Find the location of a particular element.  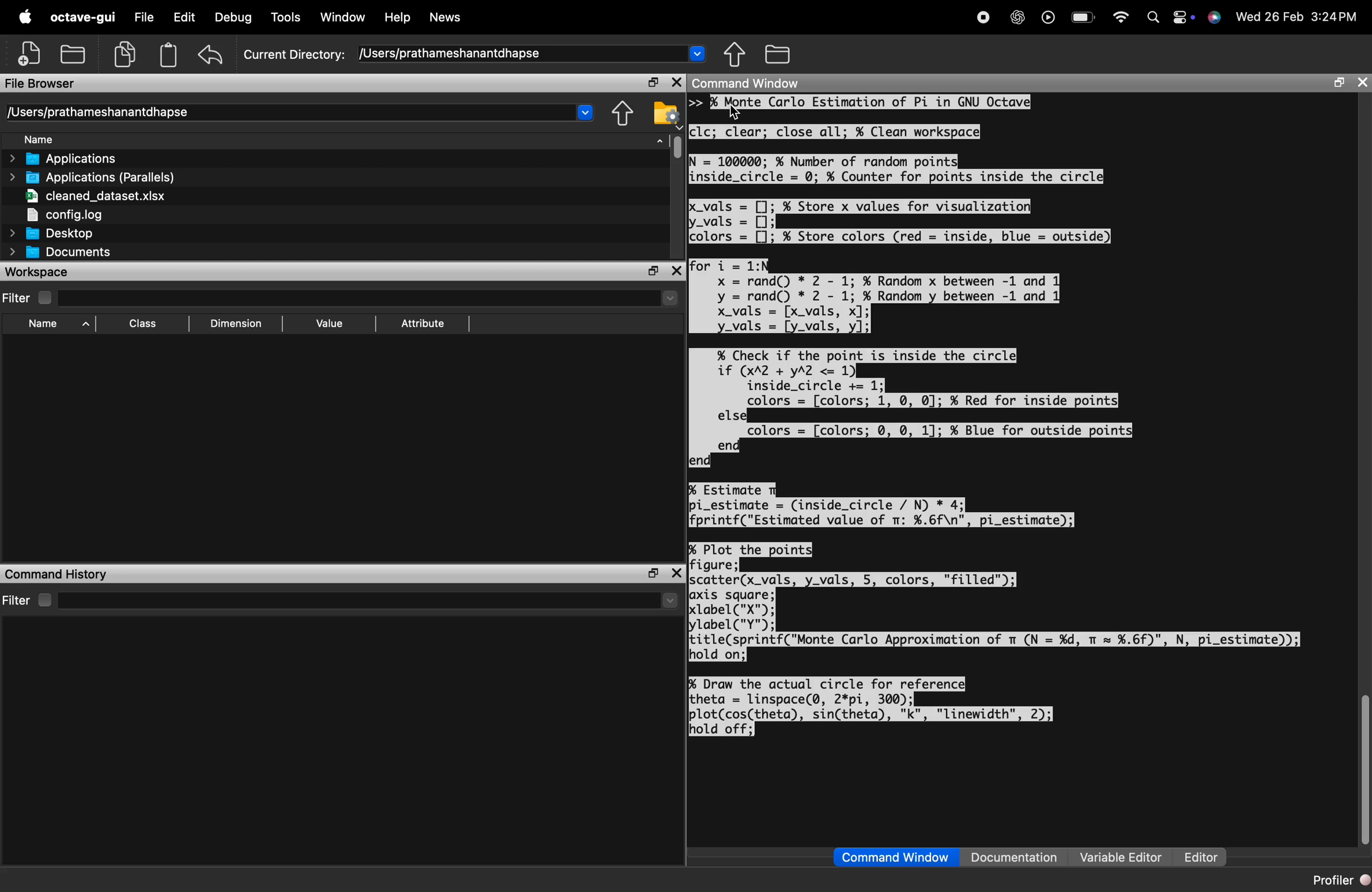

search is located at coordinates (1151, 18).